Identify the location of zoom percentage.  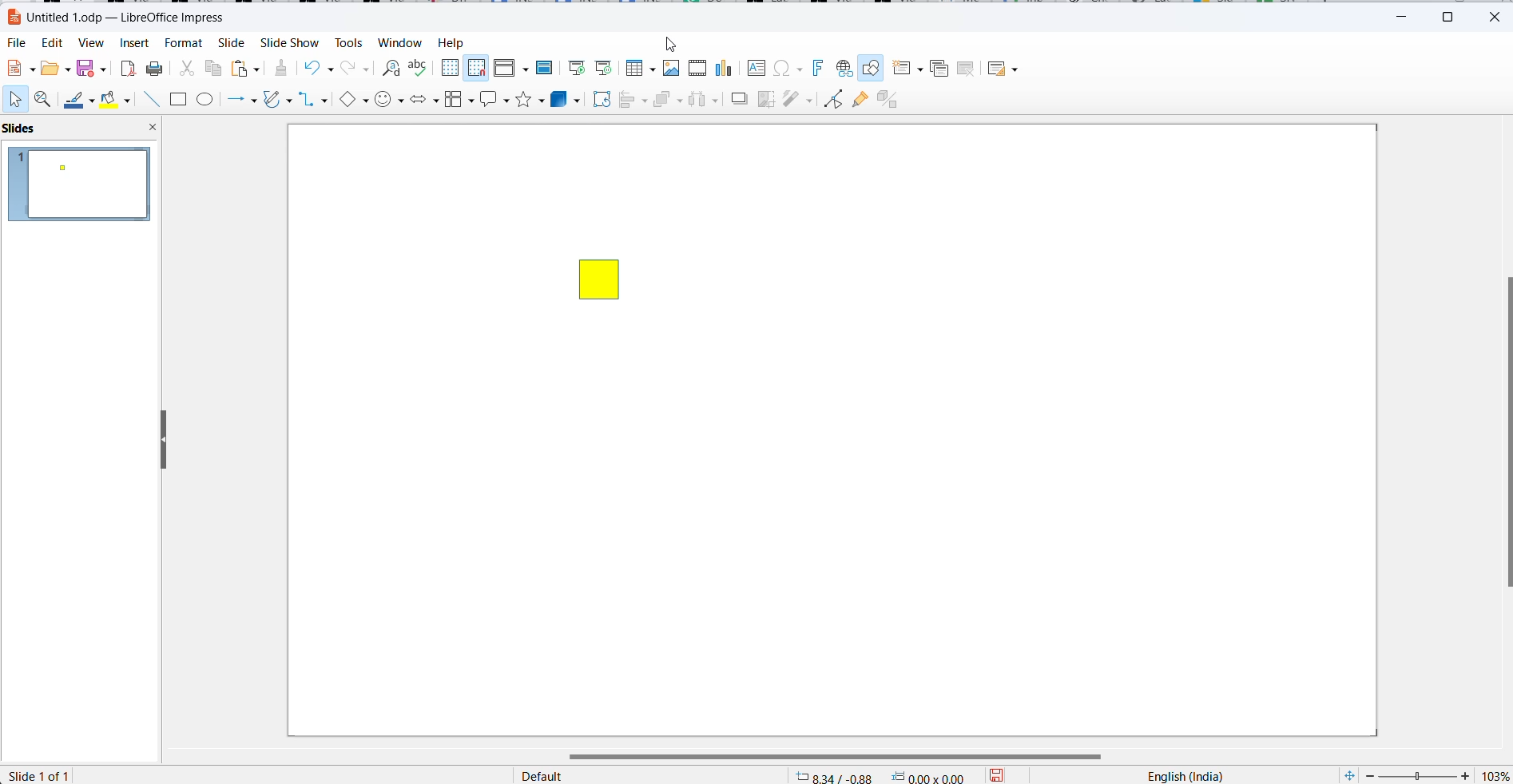
(1494, 775).